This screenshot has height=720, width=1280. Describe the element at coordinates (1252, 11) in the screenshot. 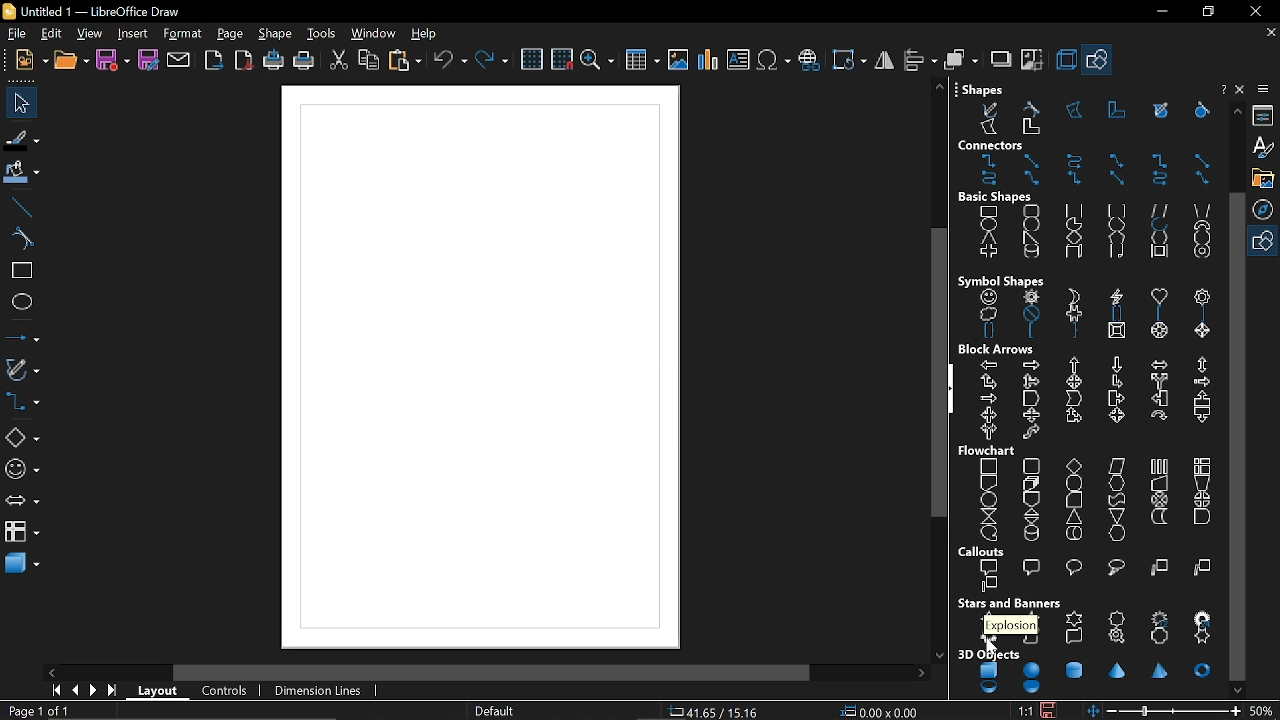

I see `close` at that location.